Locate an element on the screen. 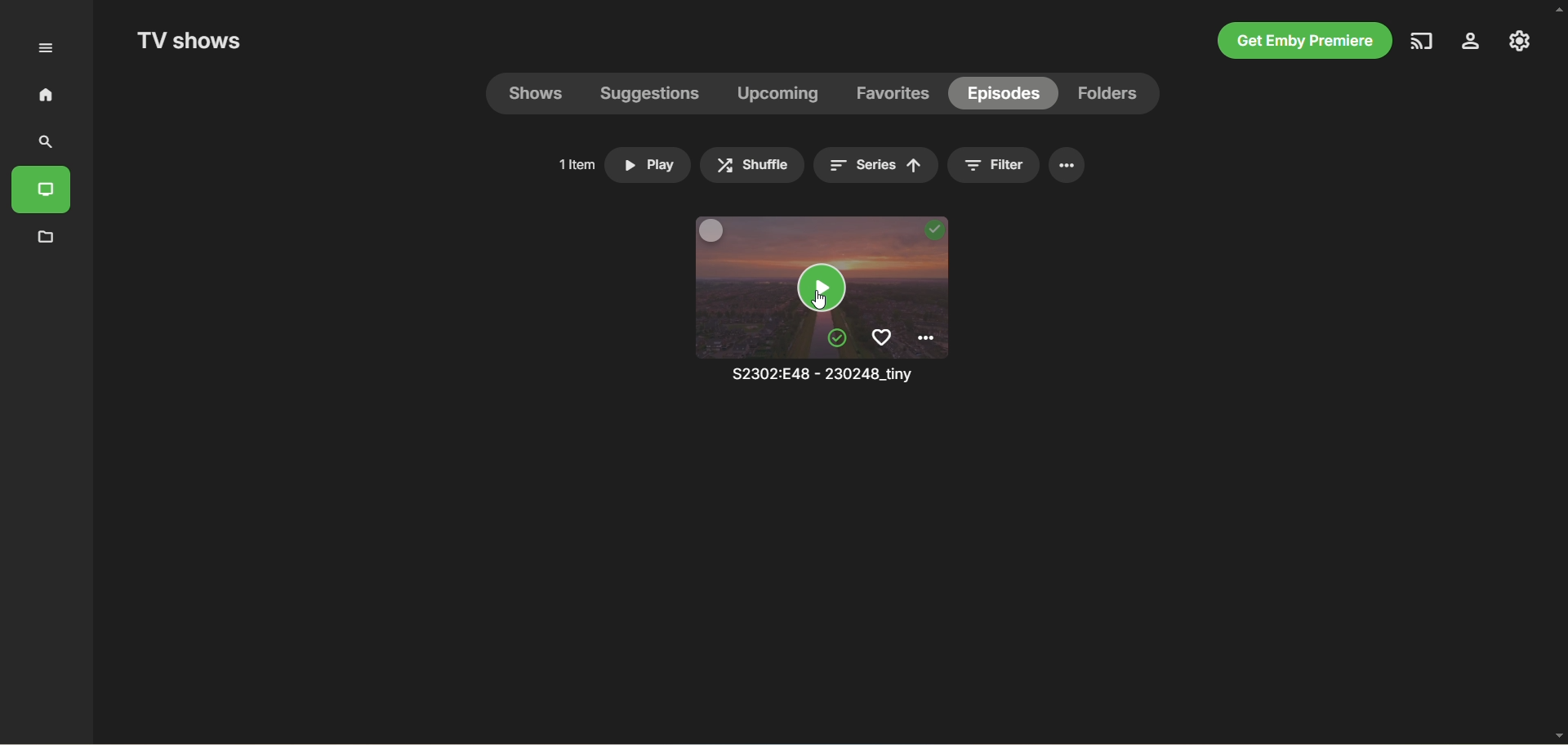 The image size is (1568, 745). folders is located at coordinates (1108, 94).